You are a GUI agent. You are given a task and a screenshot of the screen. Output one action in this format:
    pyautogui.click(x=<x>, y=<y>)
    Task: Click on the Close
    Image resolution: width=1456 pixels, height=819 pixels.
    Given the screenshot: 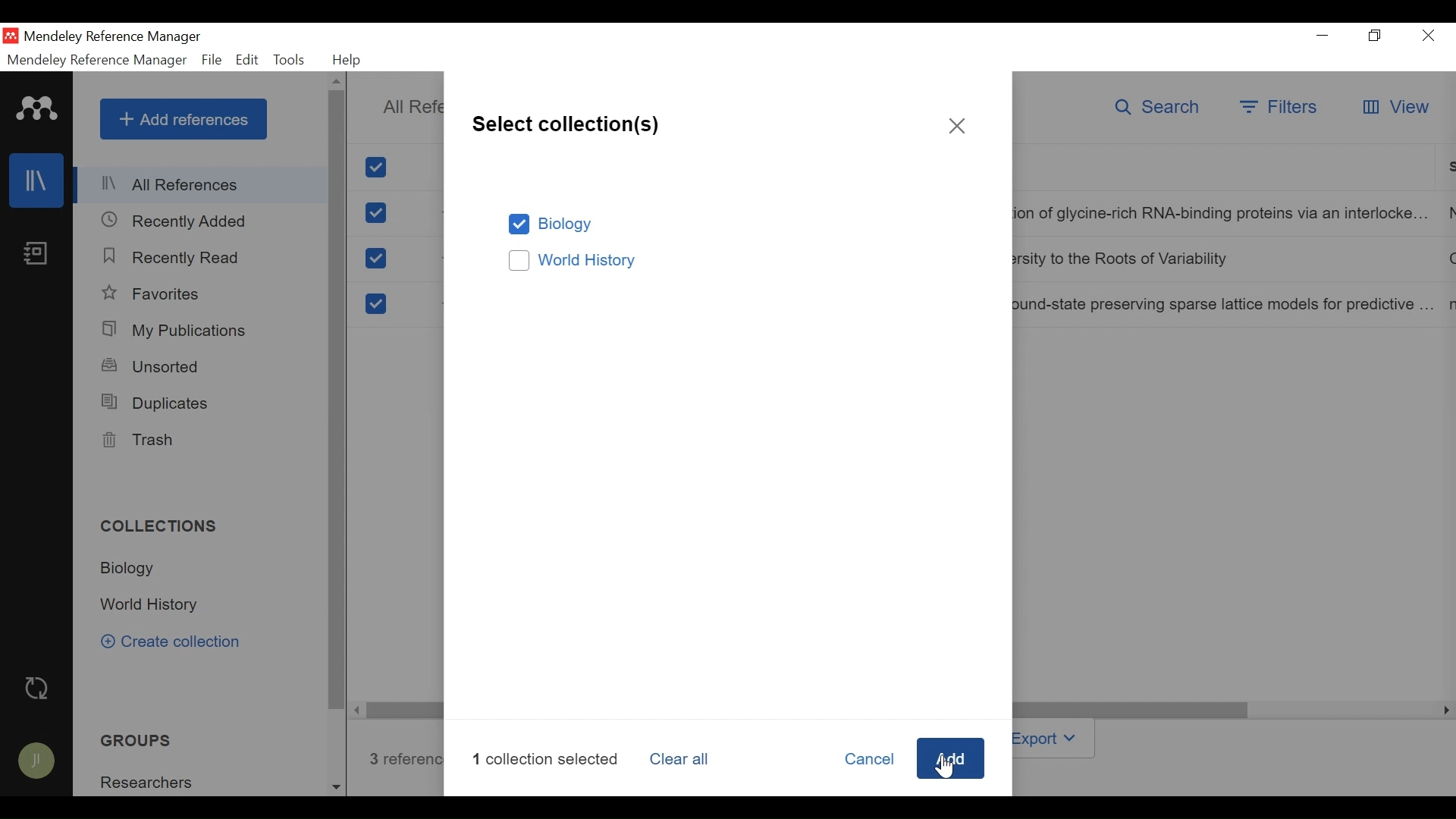 What is the action you would take?
    pyautogui.click(x=1429, y=36)
    